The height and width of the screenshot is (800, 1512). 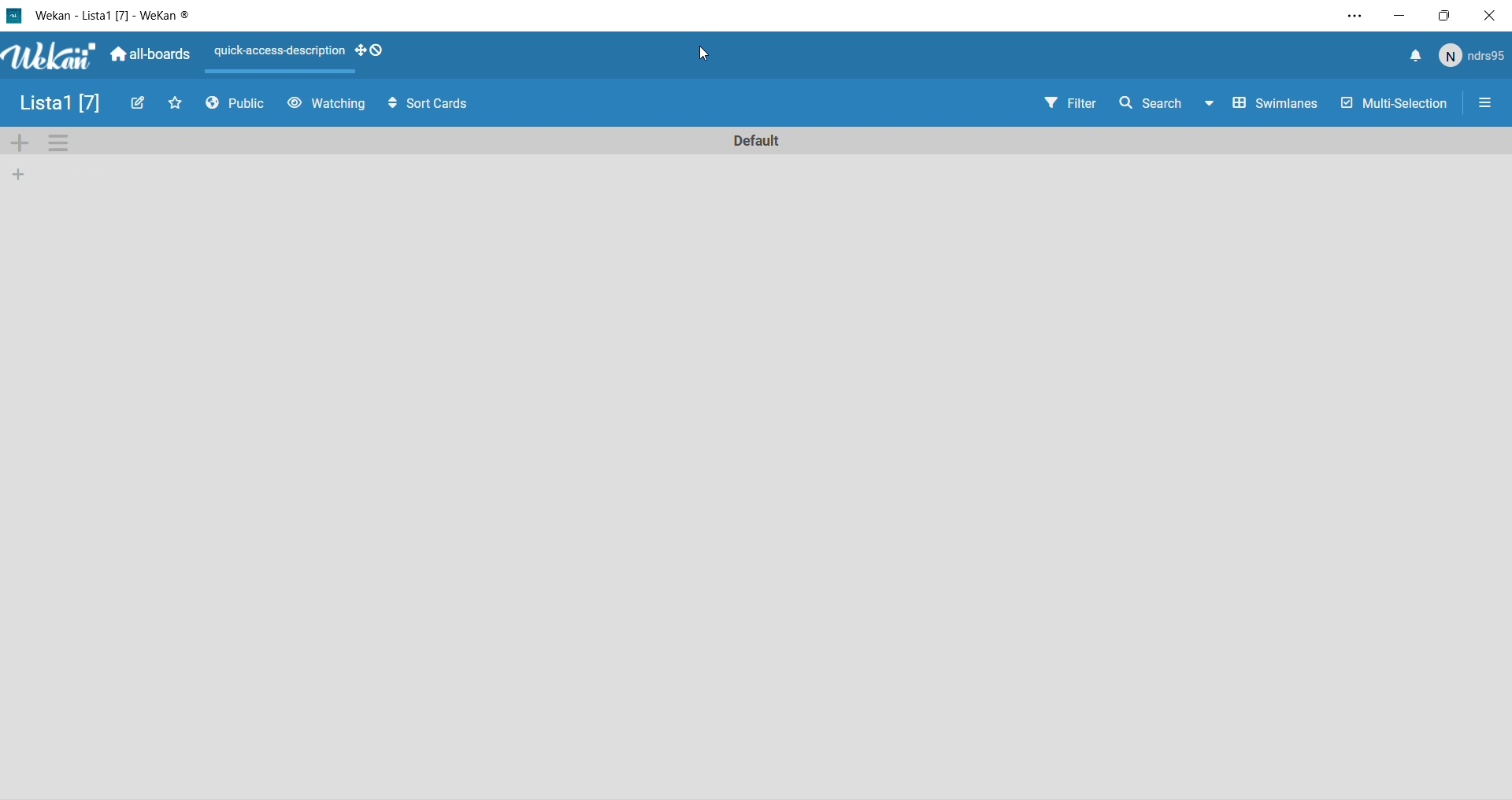 What do you see at coordinates (435, 108) in the screenshot?
I see `Sort Cards` at bounding box center [435, 108].